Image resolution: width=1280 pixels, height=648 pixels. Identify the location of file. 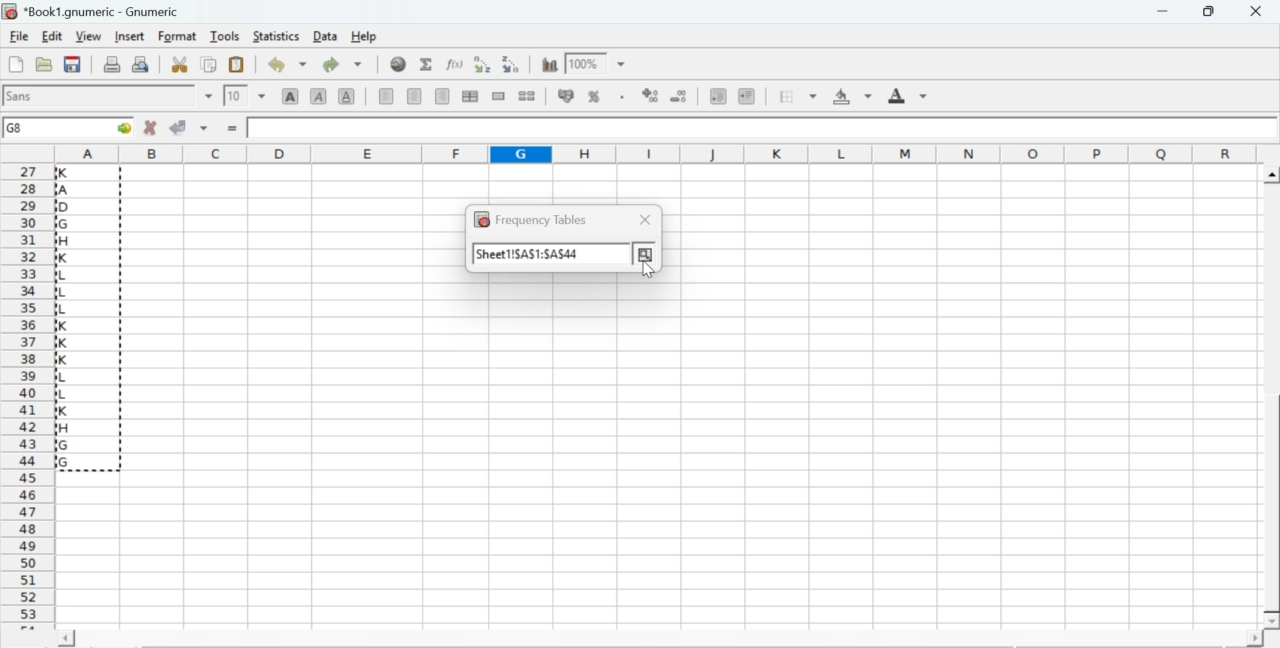
(18, 37).